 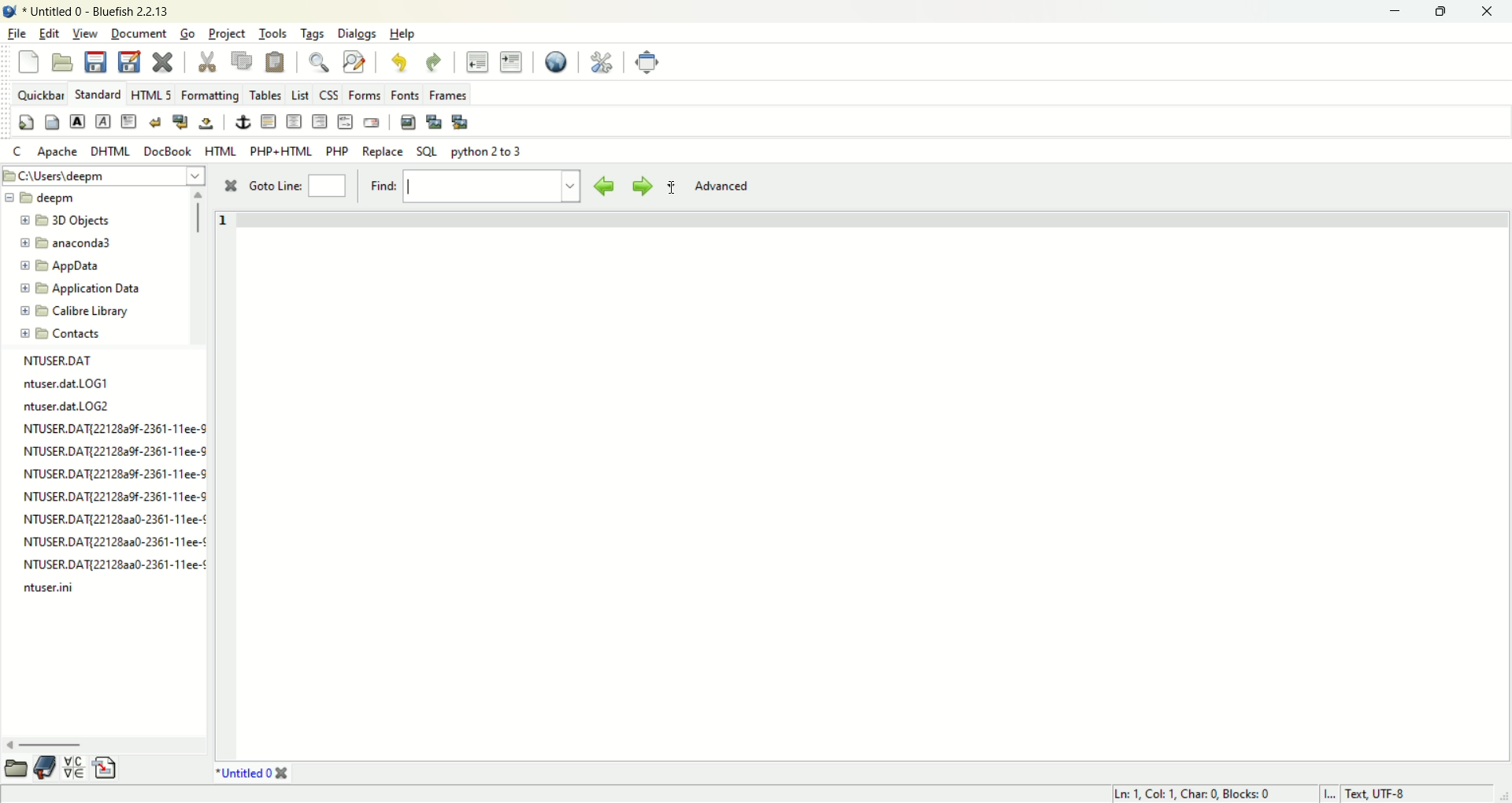 What do you see at coordinates (328, 94) in the screenshot?
I see `CSS` at bounding box center [328, 94].